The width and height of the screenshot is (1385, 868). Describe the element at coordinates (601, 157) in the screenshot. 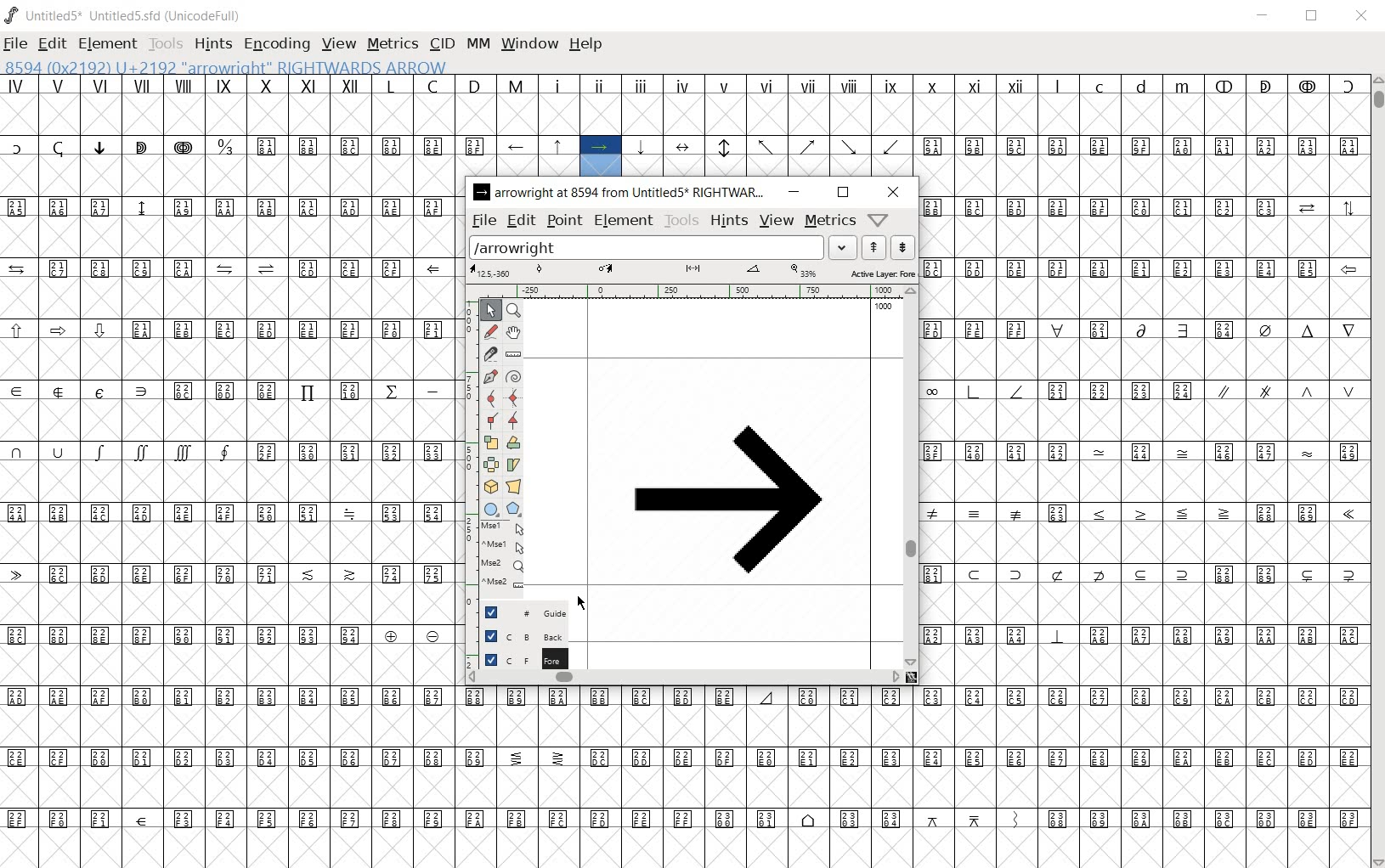

I see `8594 (0x2192) U+2192 "arrowright" RIGHTWARDS ARROW` at that location.